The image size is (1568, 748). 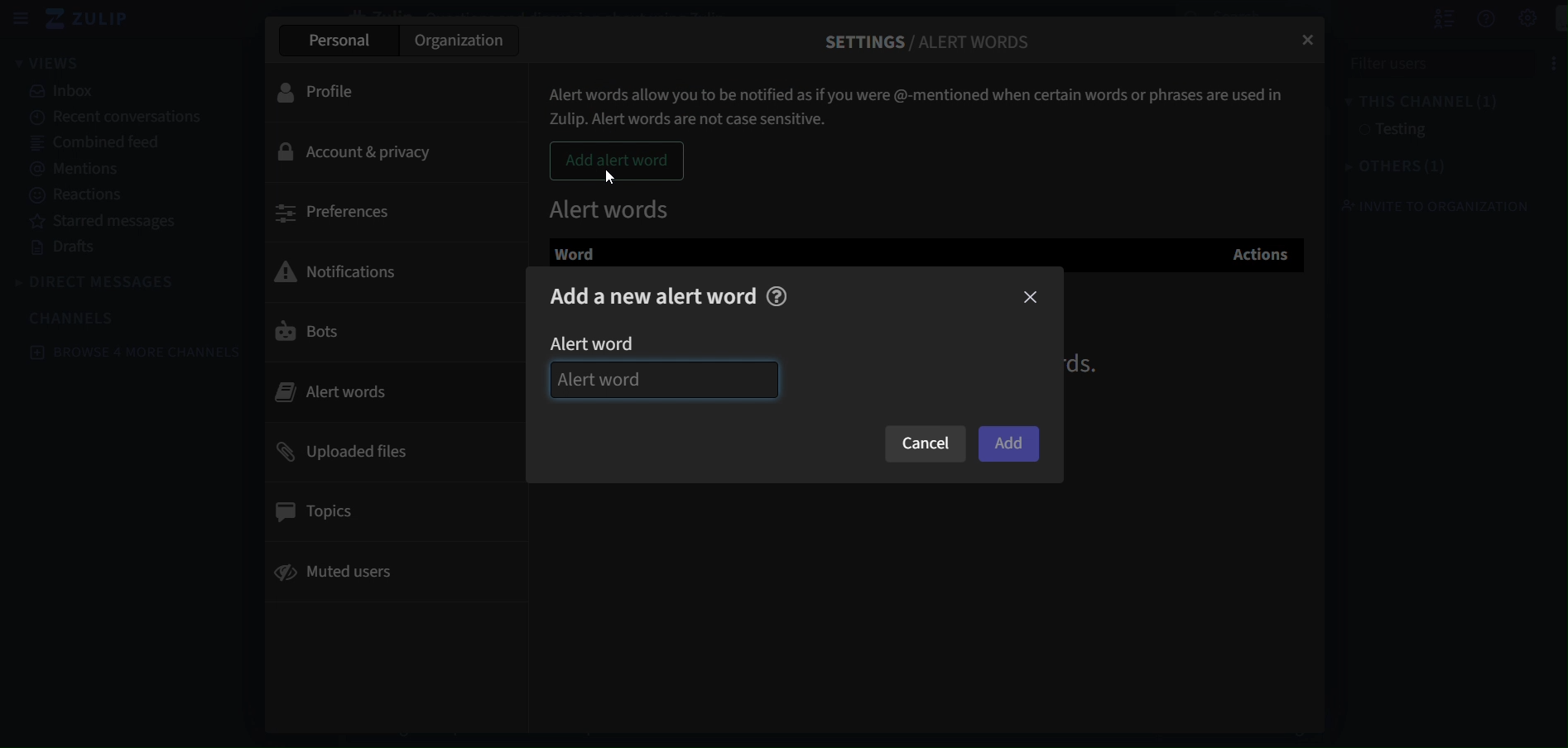 What do you see at coordinates (81, 170) in the screenshot?
I see `mentions` at bounding box center [81, 170].